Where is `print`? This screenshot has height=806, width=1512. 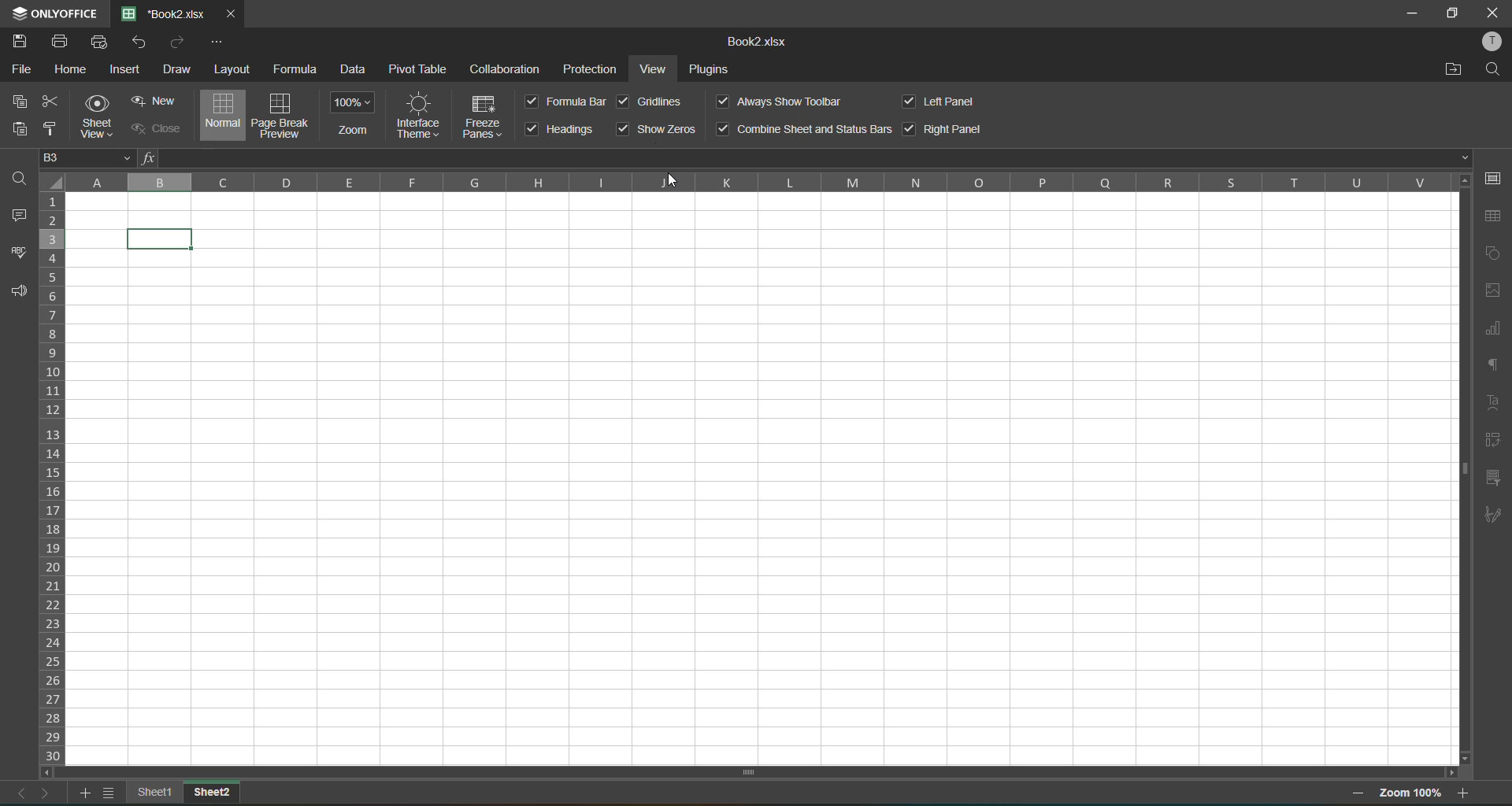
print is located at coordinates (61, 43).